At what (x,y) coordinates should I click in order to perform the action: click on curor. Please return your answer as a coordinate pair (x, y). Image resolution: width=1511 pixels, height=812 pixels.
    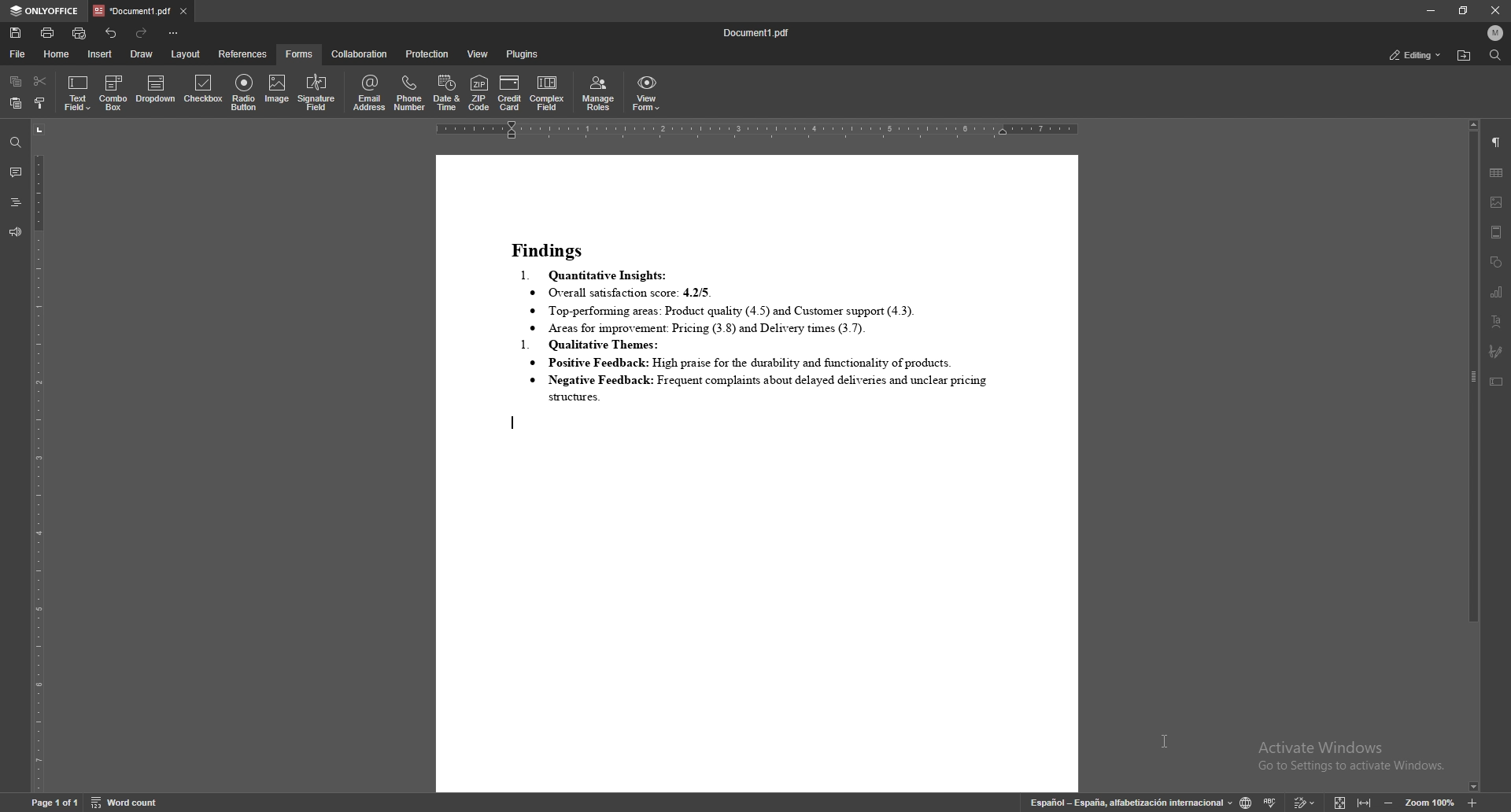
    Looking at the image, I should click on (1162, 744).